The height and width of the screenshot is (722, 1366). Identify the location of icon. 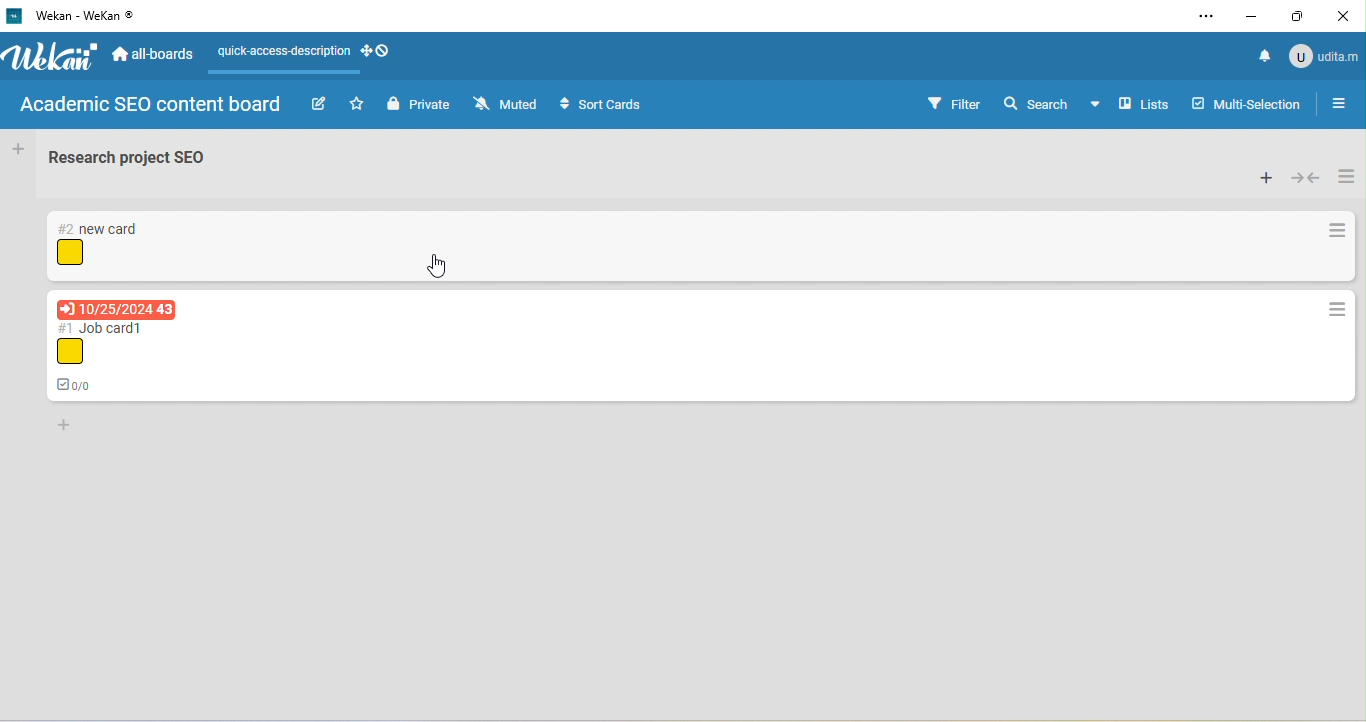
(69, 352).